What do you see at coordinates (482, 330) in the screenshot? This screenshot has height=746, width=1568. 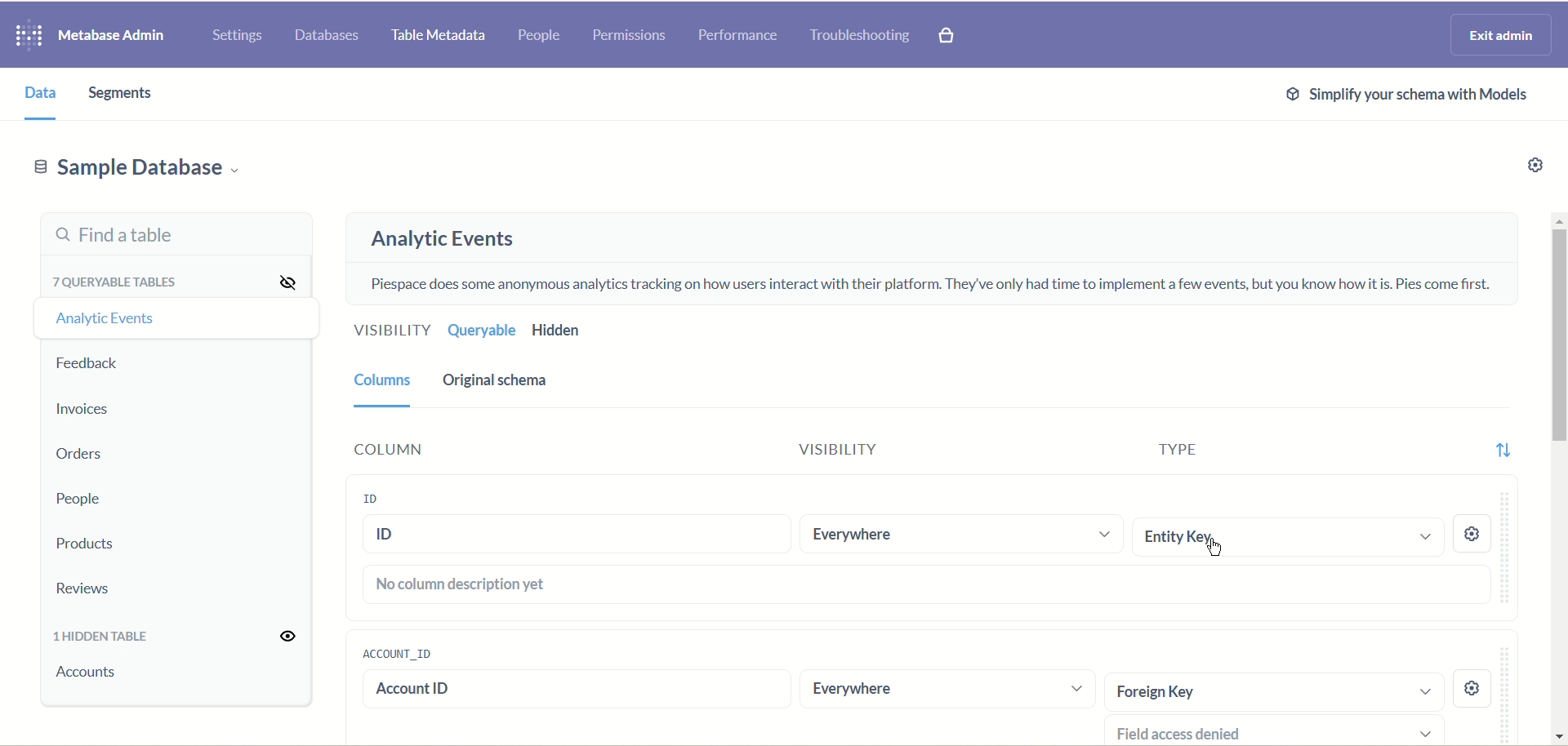 I see `queryable` at bounding box center [482, 330].